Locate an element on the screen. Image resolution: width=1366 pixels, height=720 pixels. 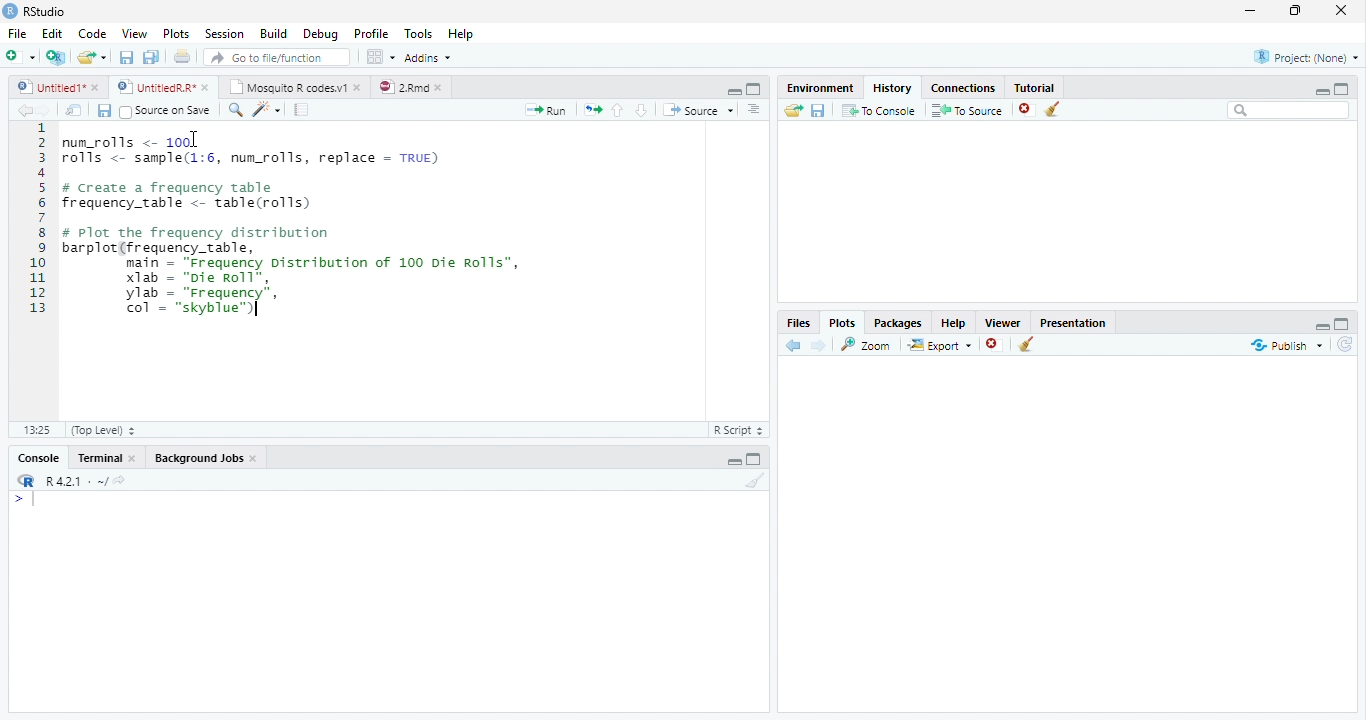
View is located at coordinates (135, 32).